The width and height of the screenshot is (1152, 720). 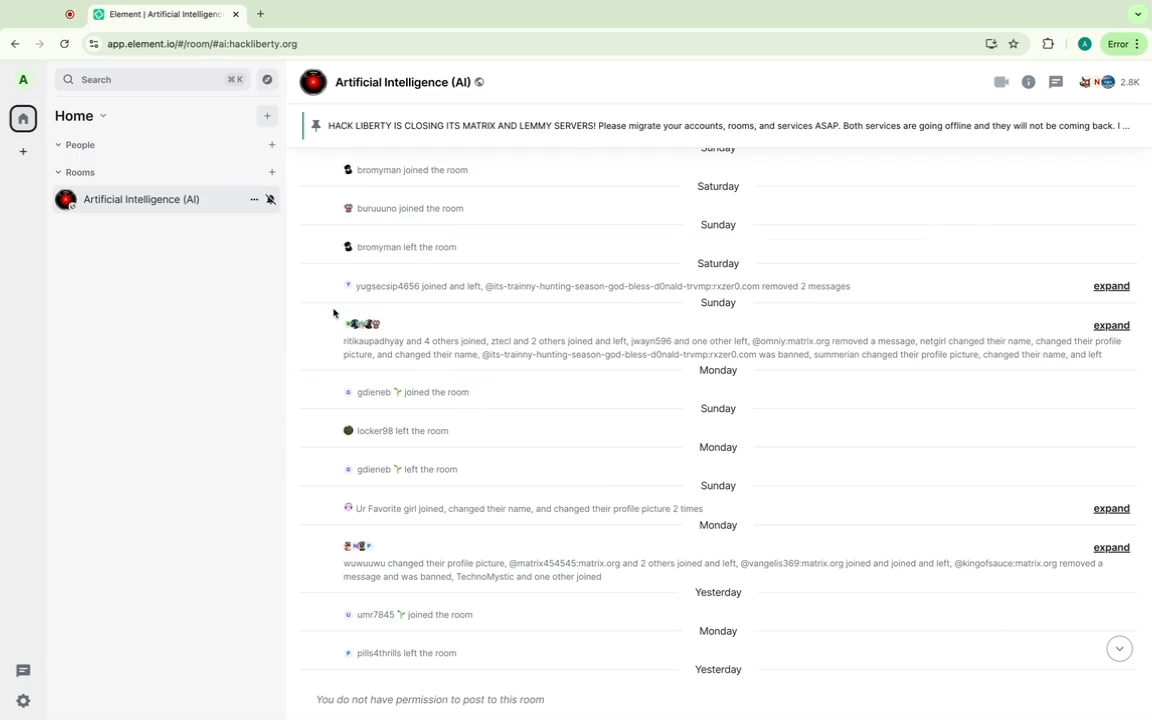 I want to click on group muted, so click(x=272, y=199).